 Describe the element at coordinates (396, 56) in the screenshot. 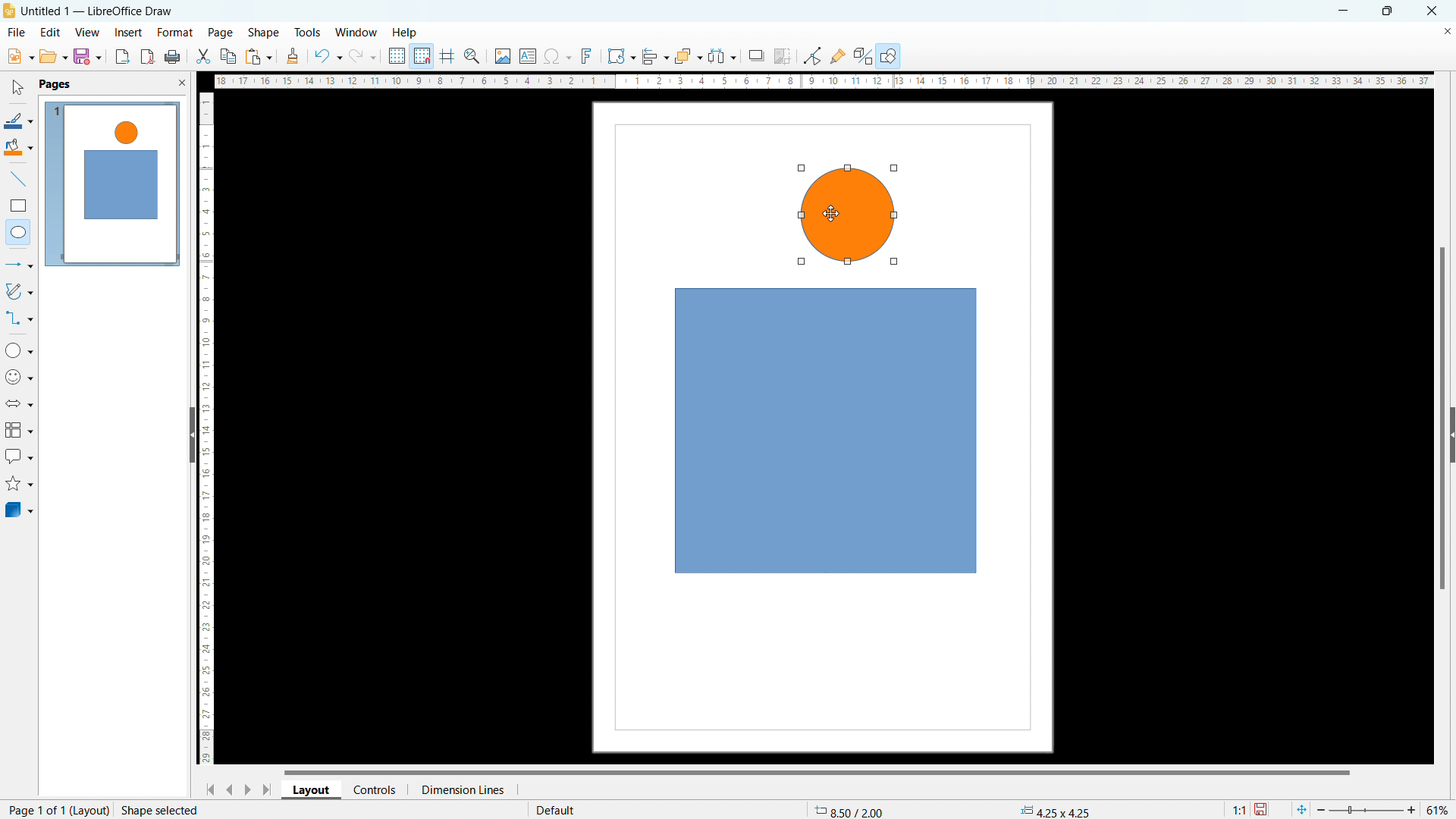

I see `display grid` at that location.